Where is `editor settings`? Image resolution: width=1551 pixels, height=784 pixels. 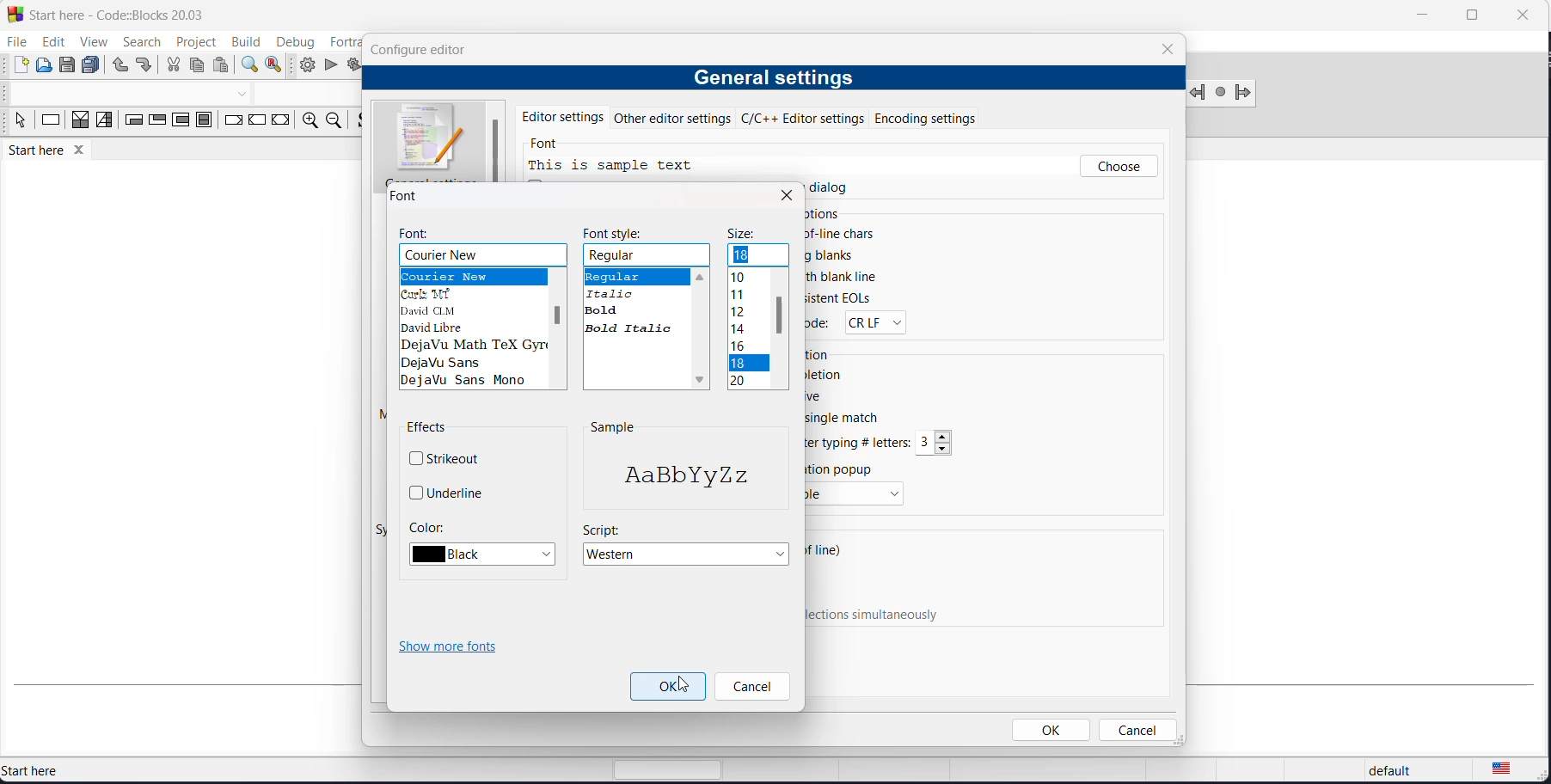 editor settings is located at coordinates (563, 115).